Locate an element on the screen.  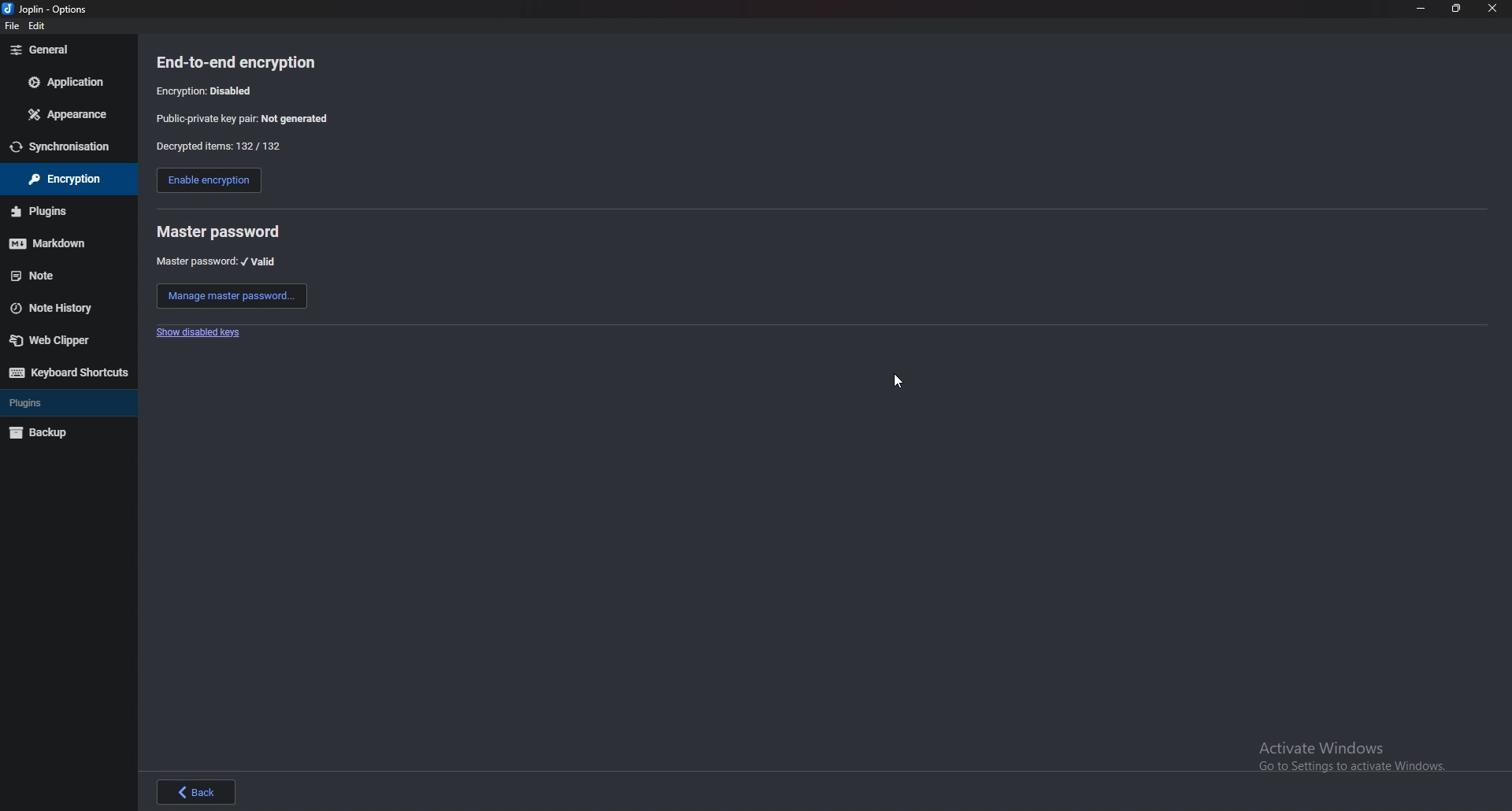
encryption is located at coordinates (209, 90).